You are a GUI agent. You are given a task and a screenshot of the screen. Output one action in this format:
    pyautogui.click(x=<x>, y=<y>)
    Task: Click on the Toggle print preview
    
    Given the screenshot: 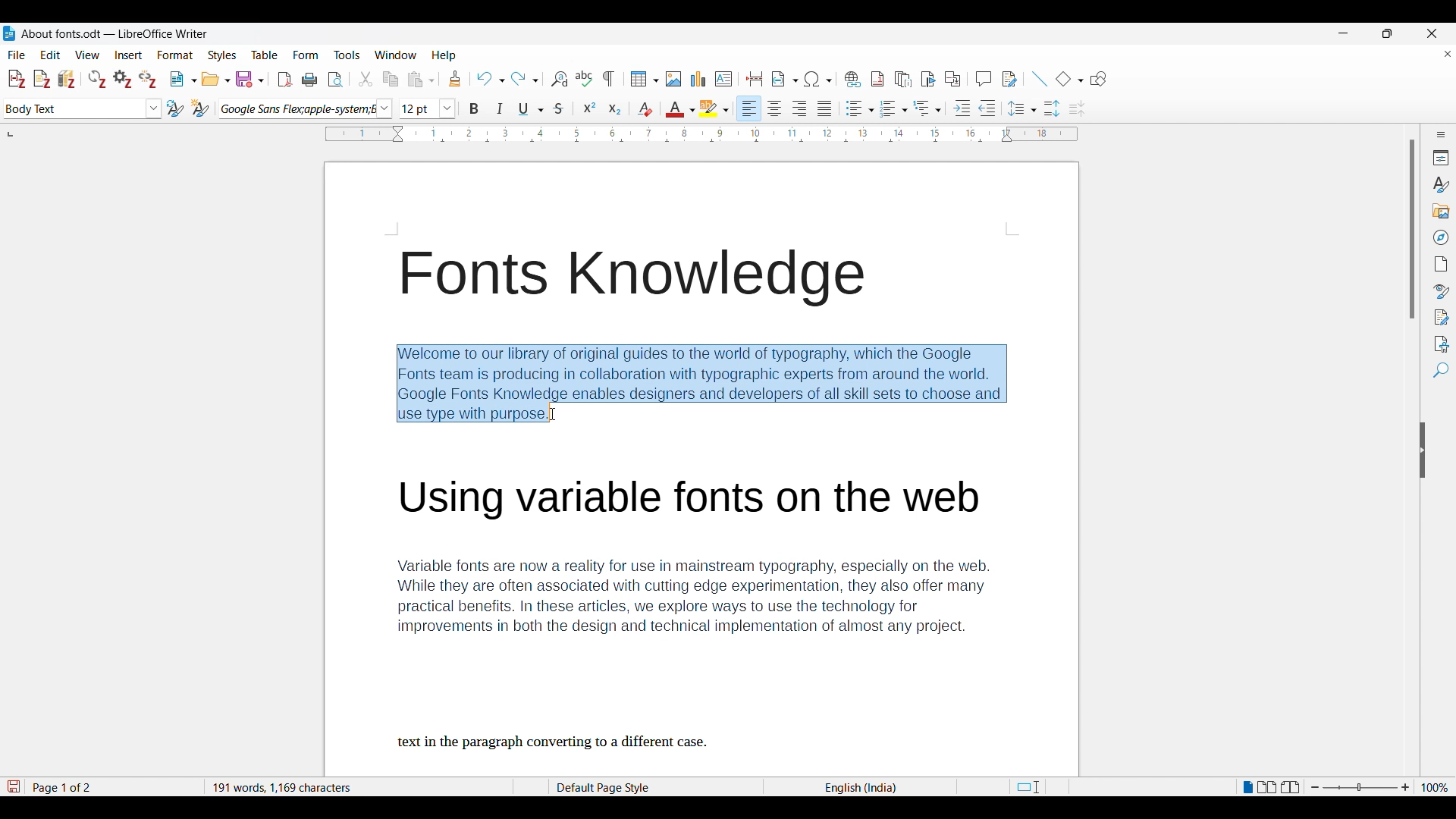 What is the action you would take?
    pyautogui.click(x=335, y=80)
    